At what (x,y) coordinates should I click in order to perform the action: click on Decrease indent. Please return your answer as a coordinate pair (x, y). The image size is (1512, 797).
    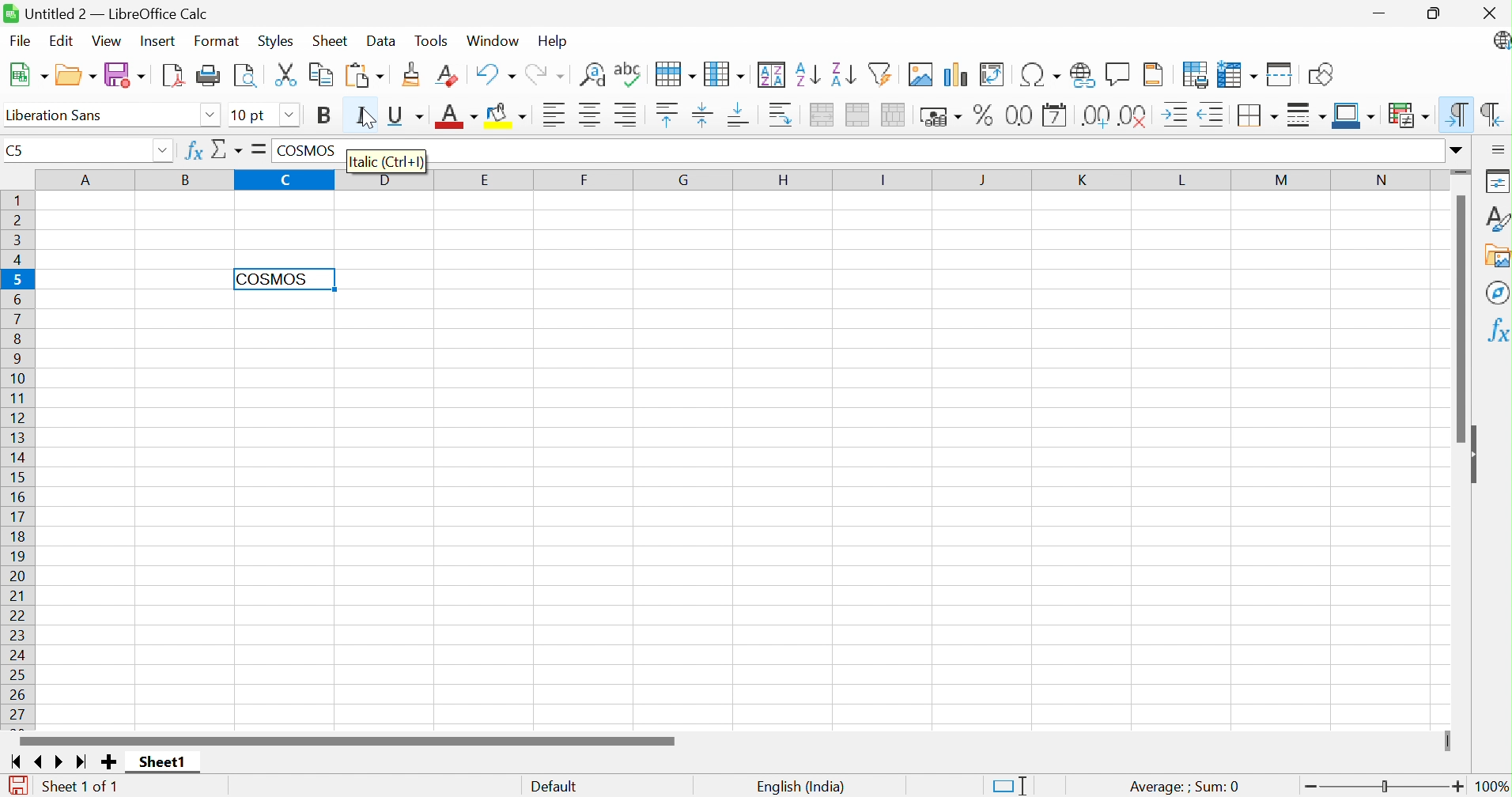
    Looking at the image, I should click on (1210, 115).